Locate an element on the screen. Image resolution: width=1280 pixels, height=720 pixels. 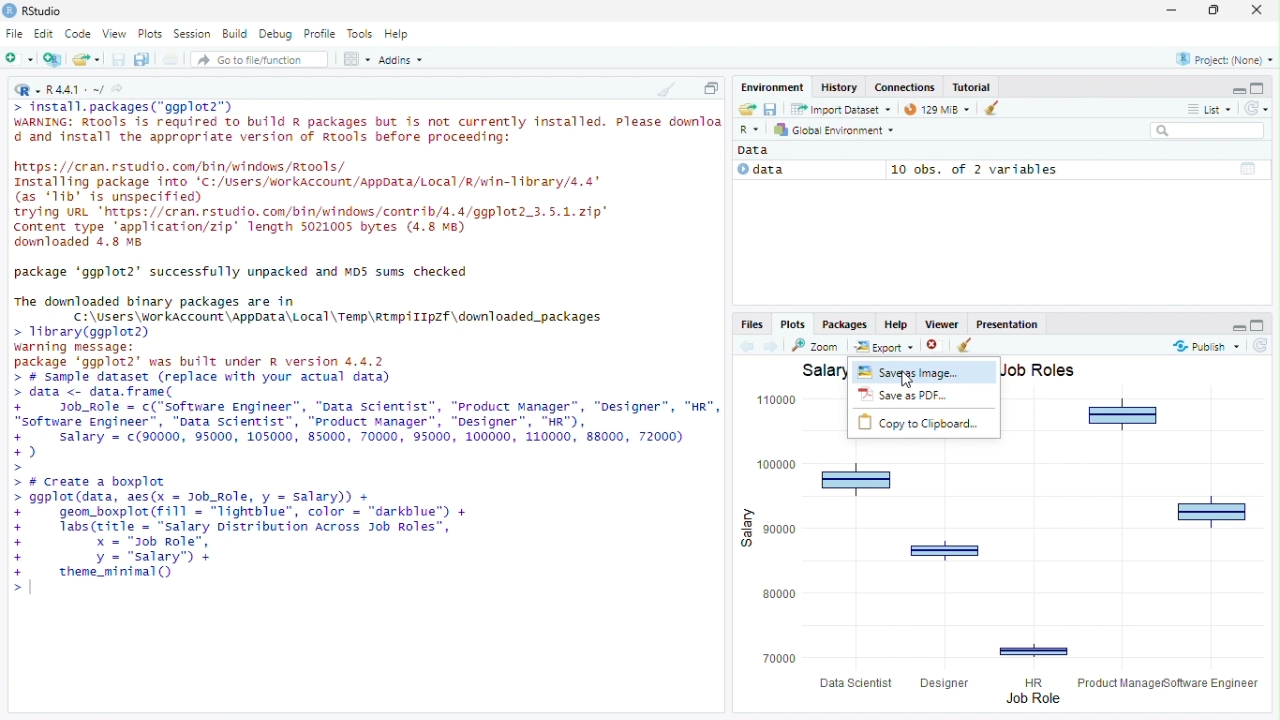
Zoom is located at coordinates (817, 345).